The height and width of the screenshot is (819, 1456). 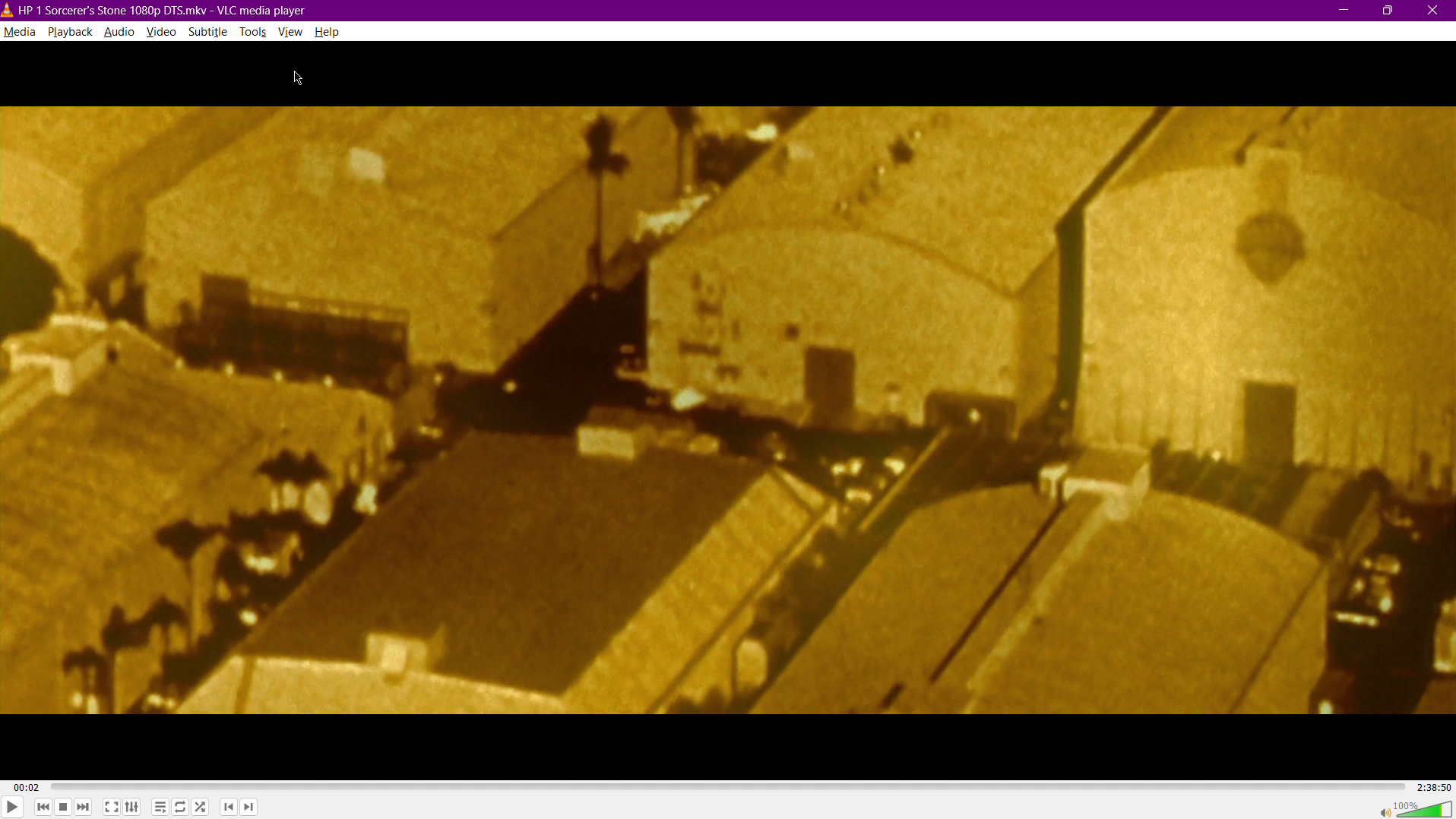 What do you see at coordinates (133, 808) in the screenshot?
I see `Advanced Settings` at bounding box center [133, 808].